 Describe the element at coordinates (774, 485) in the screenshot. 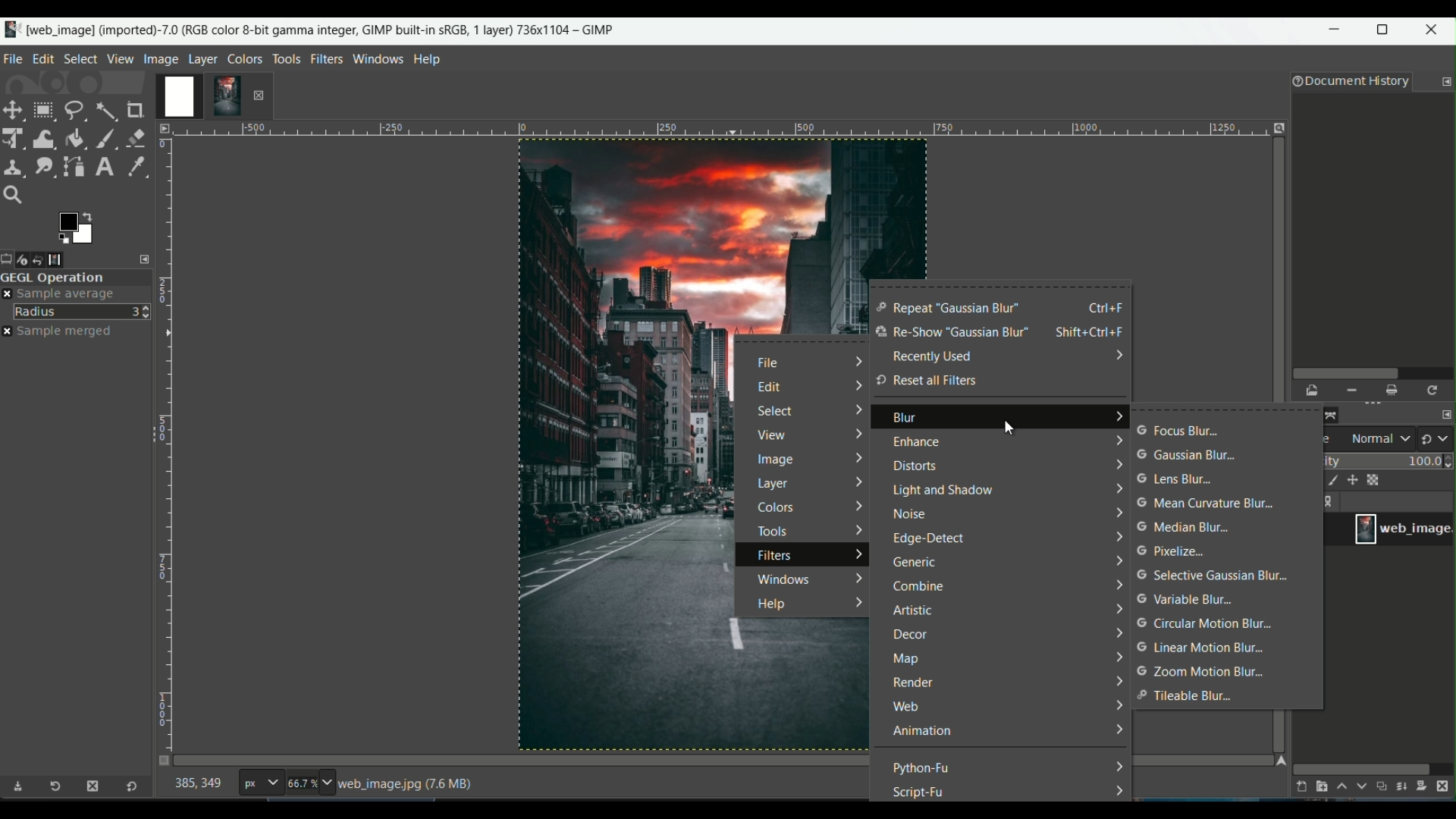

I see `layer` at that location.